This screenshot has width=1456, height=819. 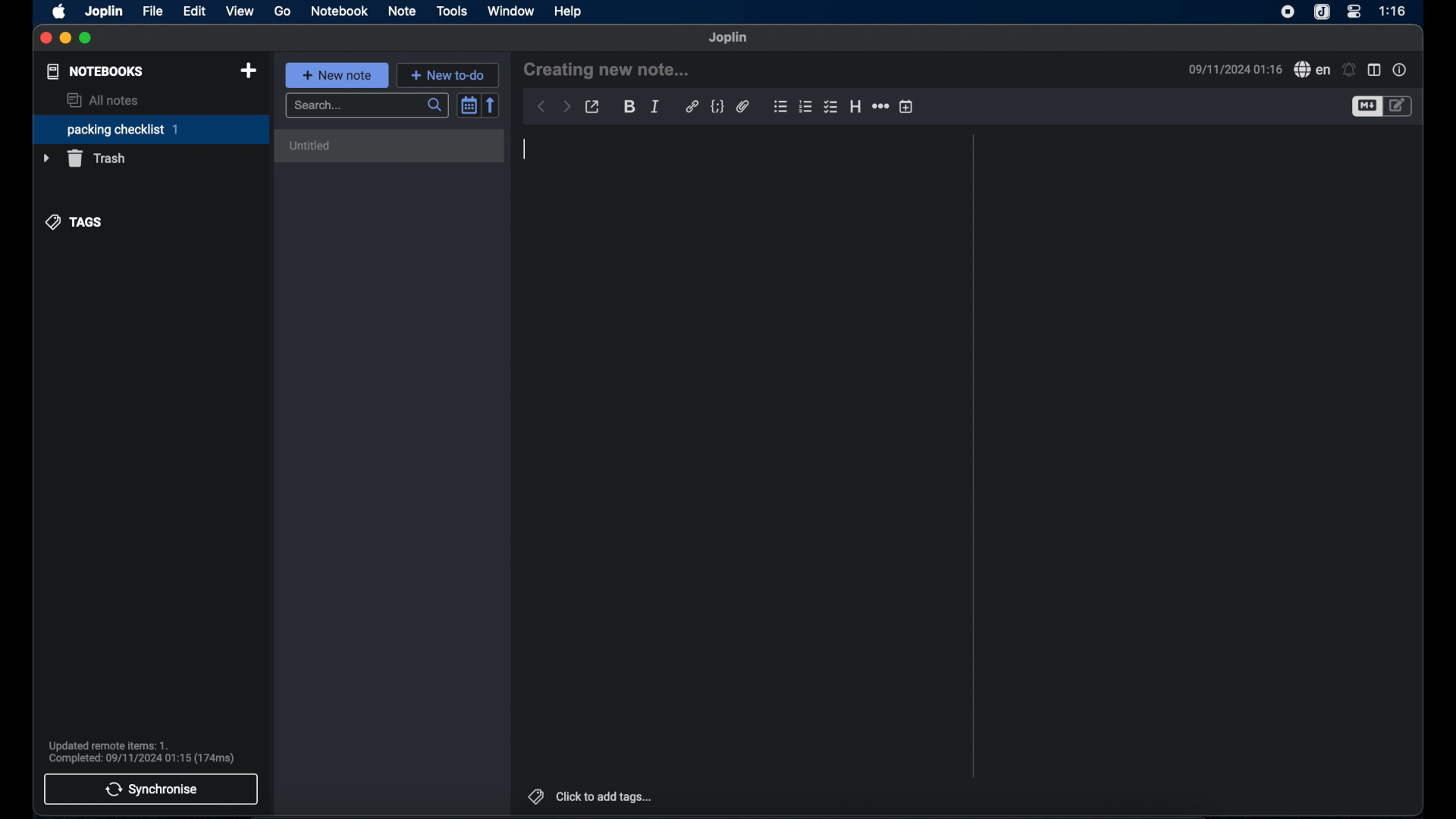 I want to click on apple icon, so click(x=58, y=12).